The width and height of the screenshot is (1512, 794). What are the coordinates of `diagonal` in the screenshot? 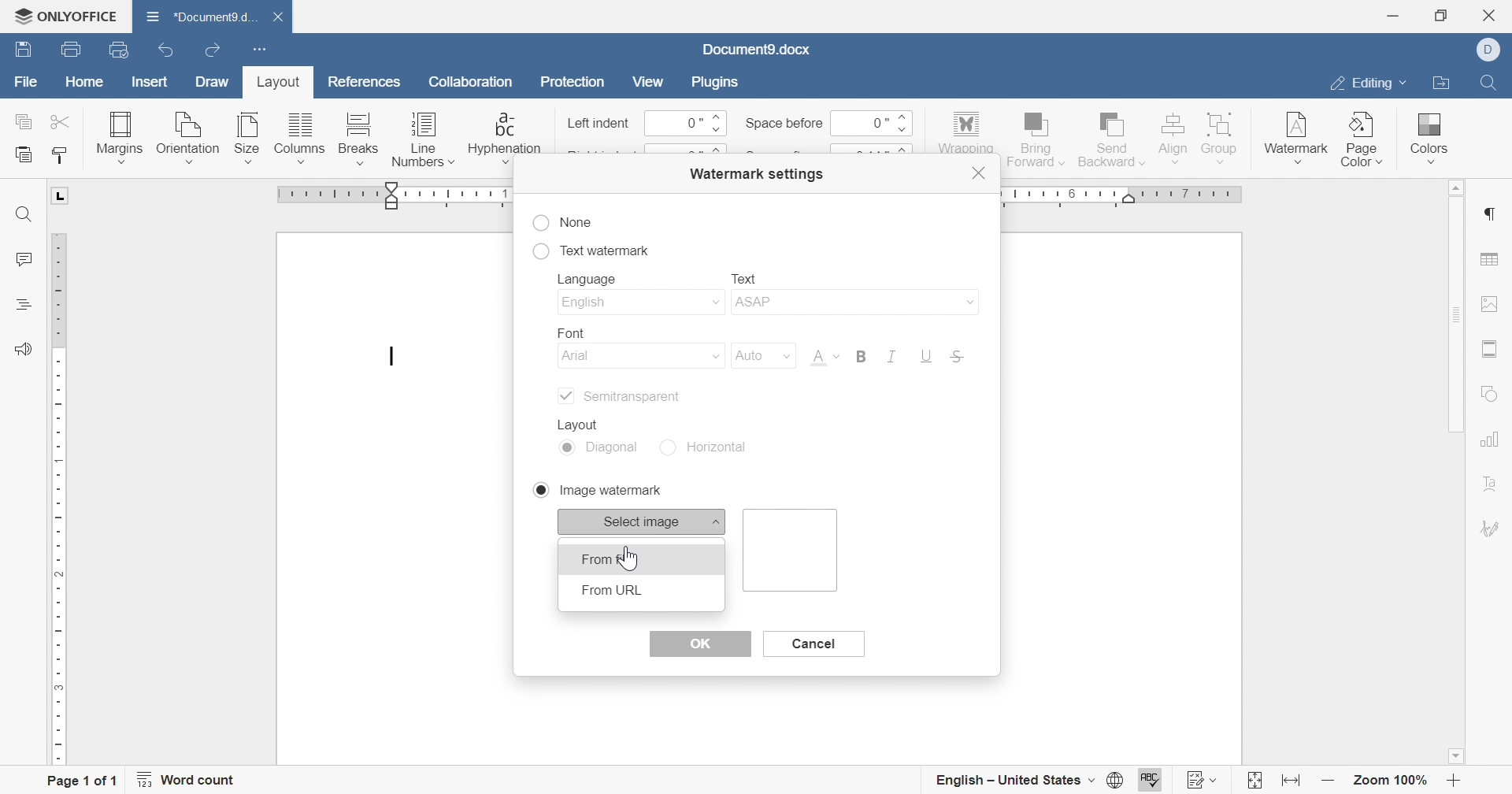 It's located at (601, 449).